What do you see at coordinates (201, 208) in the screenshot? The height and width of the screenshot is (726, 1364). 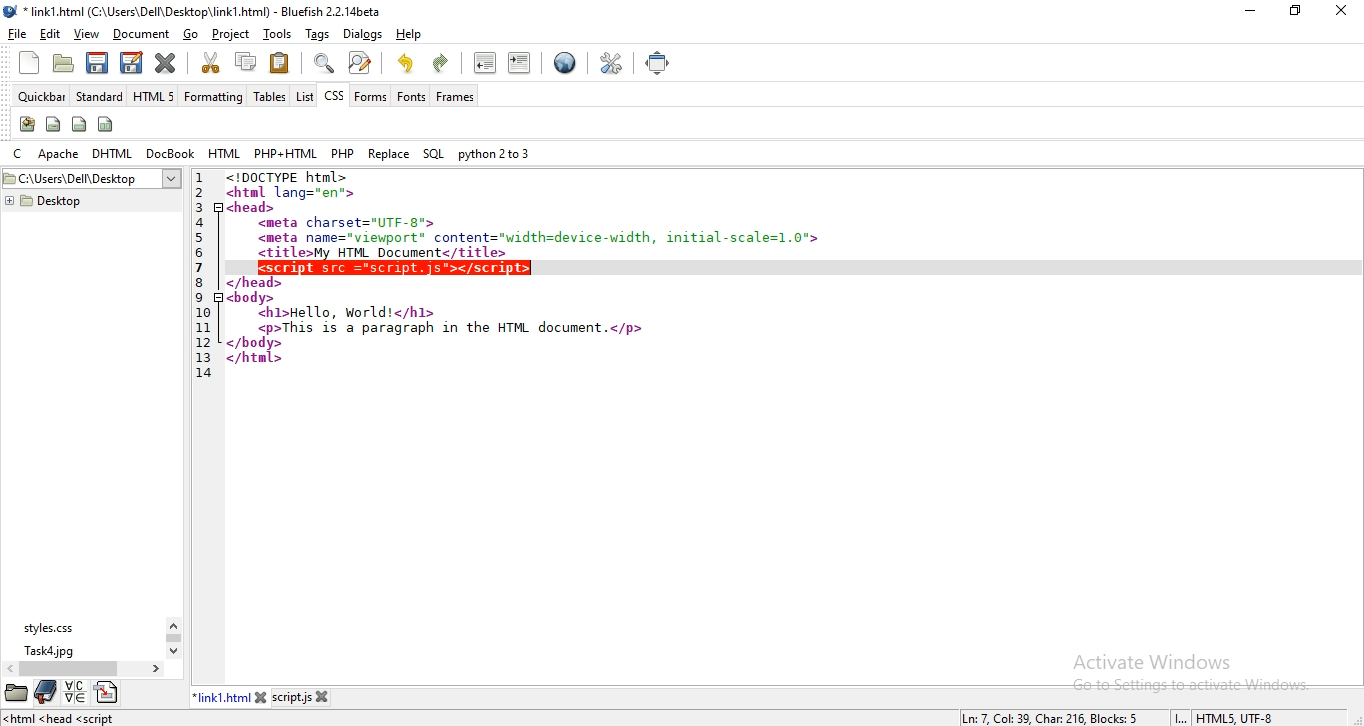 I see `3` at bounding box center [201, 208].